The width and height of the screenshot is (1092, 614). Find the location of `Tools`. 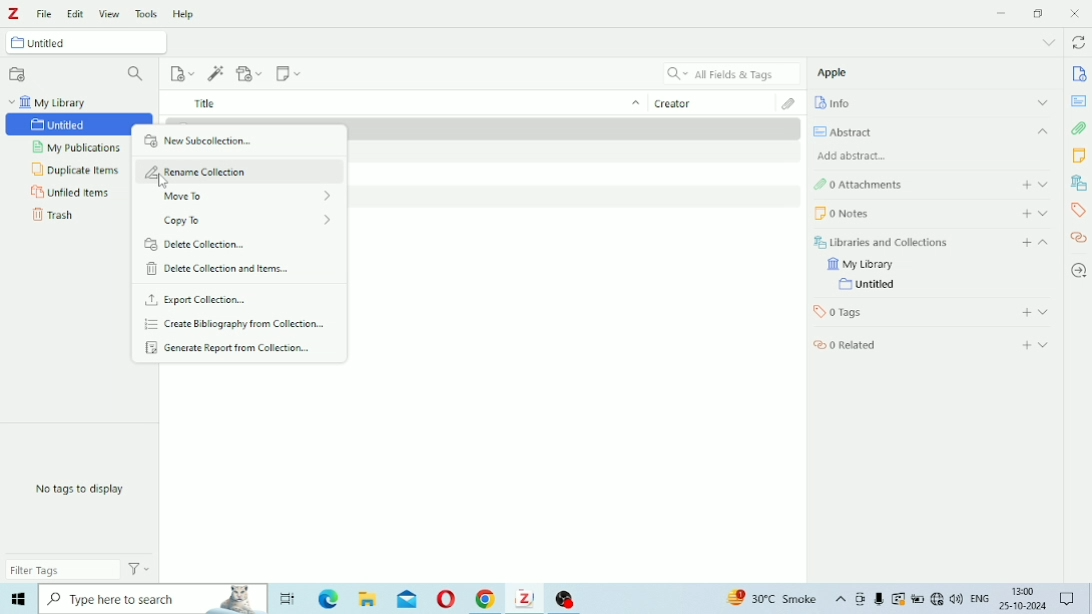

Tools is located at coordinates (147, 13).